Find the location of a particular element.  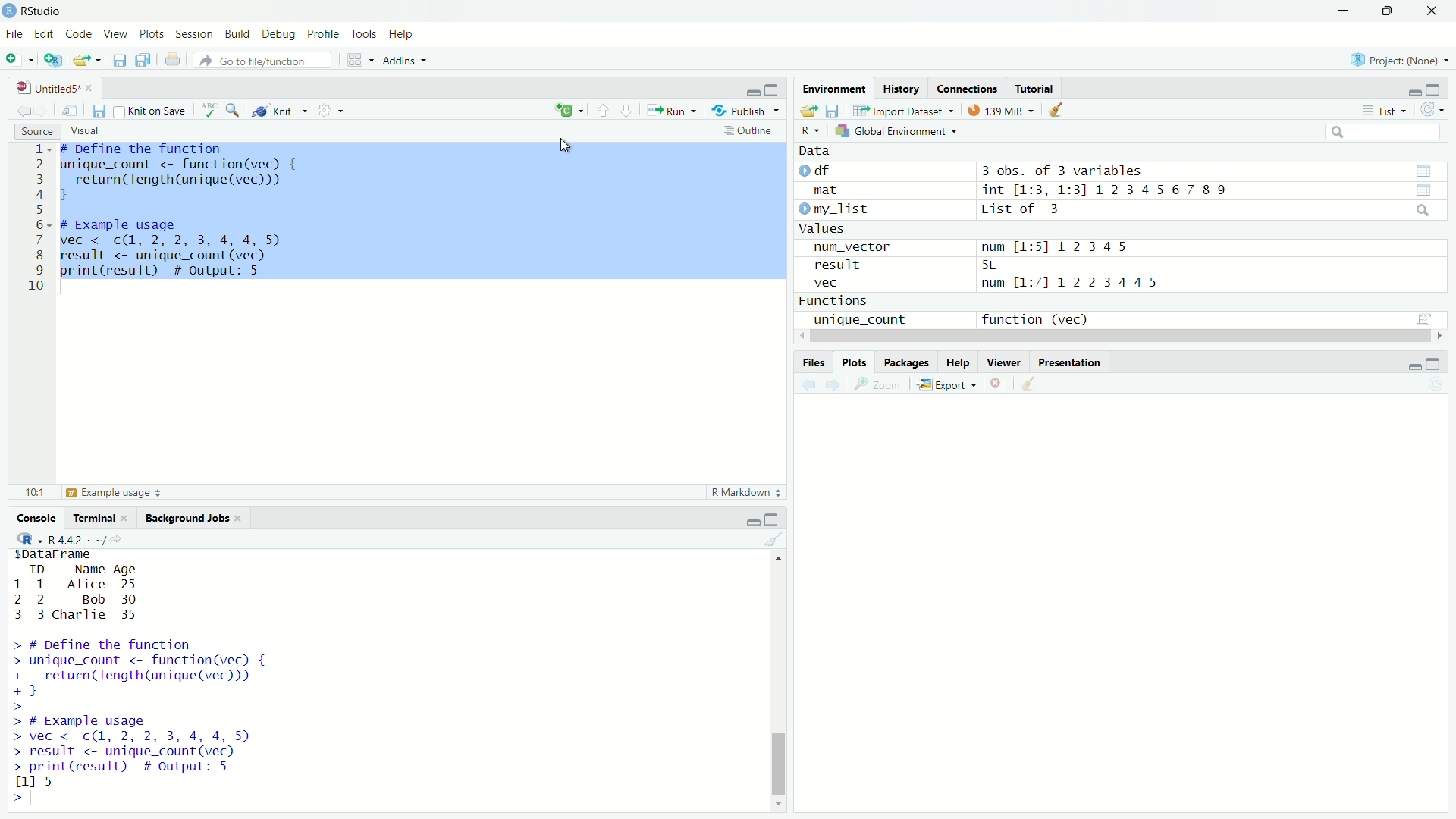

minimize is located at coordinates (1414, 93).